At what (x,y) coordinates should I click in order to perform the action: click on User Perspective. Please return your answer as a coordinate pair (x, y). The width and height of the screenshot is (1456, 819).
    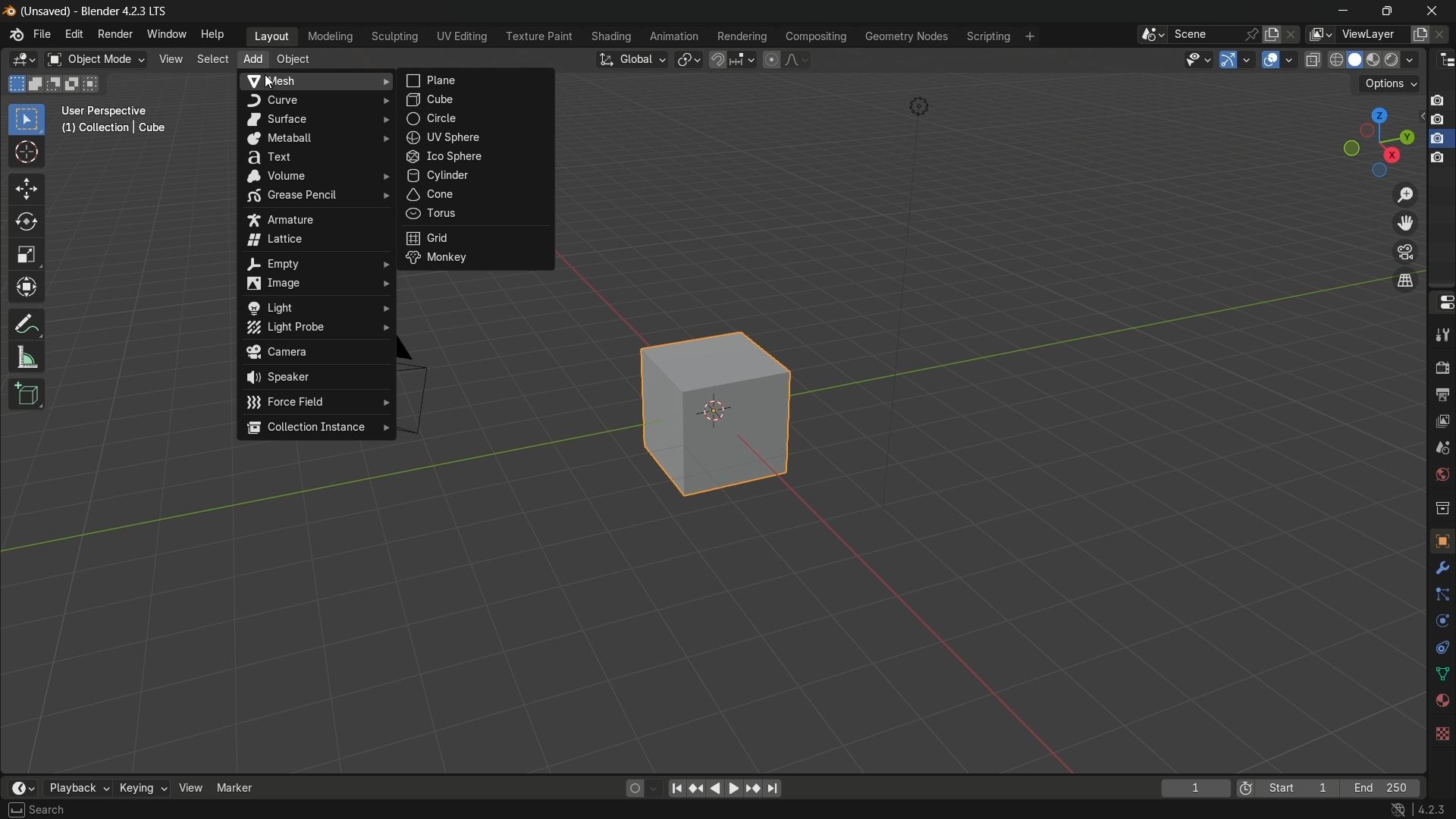
    Looking at the image, I should click on (108, 111).